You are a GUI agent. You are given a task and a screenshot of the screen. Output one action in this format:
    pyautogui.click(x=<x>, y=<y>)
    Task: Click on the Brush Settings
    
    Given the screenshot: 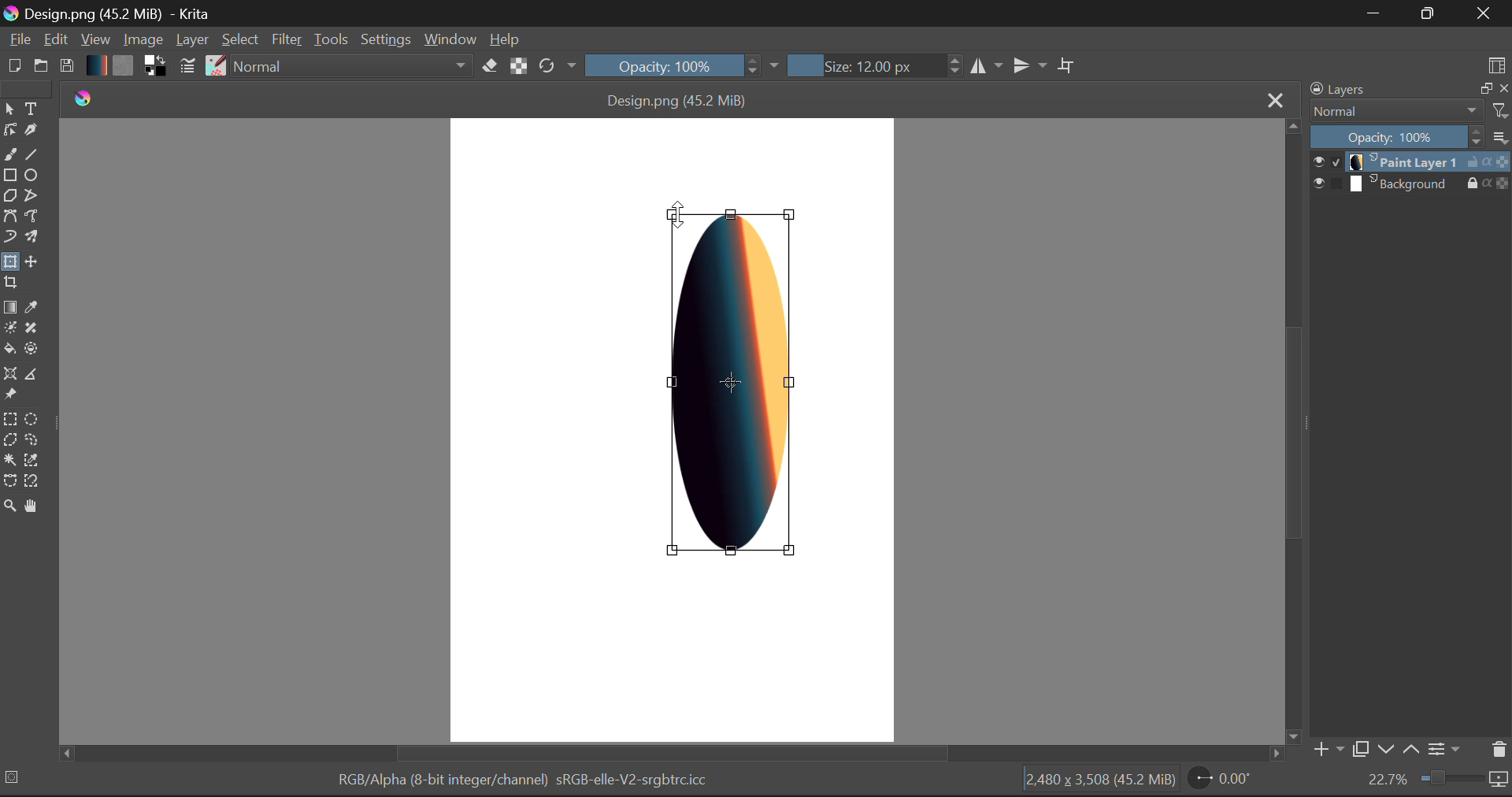 What is the action you would take?
    pyautogui.click(x=189, y=67)
    